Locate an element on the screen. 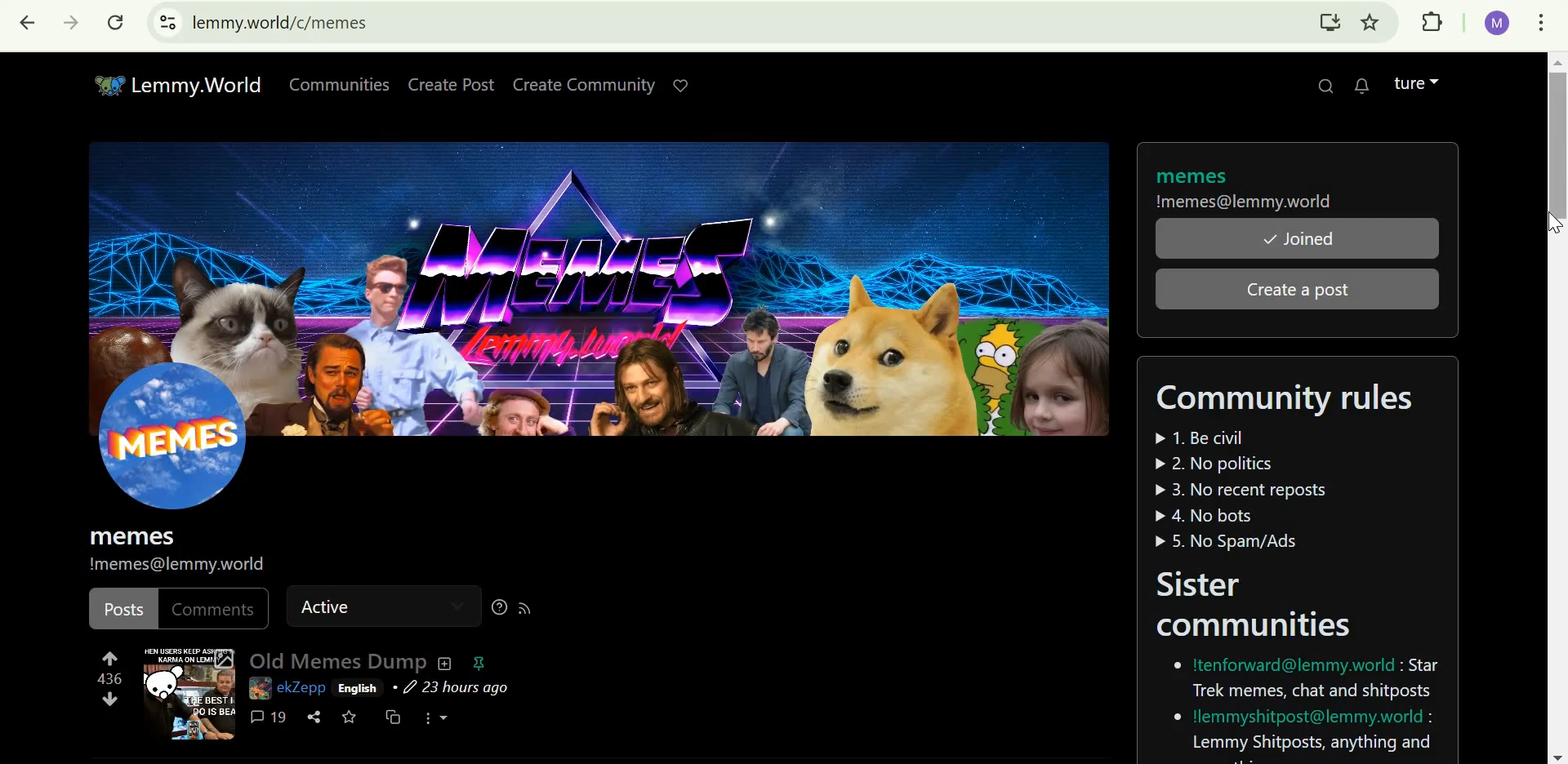 This screenshot has height=764, width=1568. Sister communities is located at coordinates (1297, 664).